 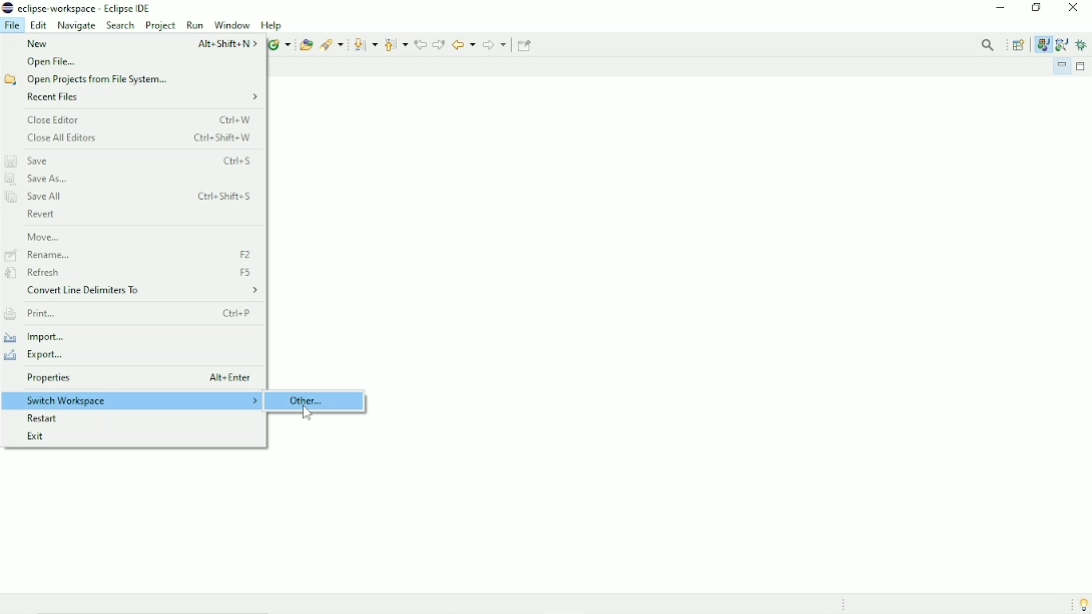 I want to click on Next annotation, so click(x=365, y=45).